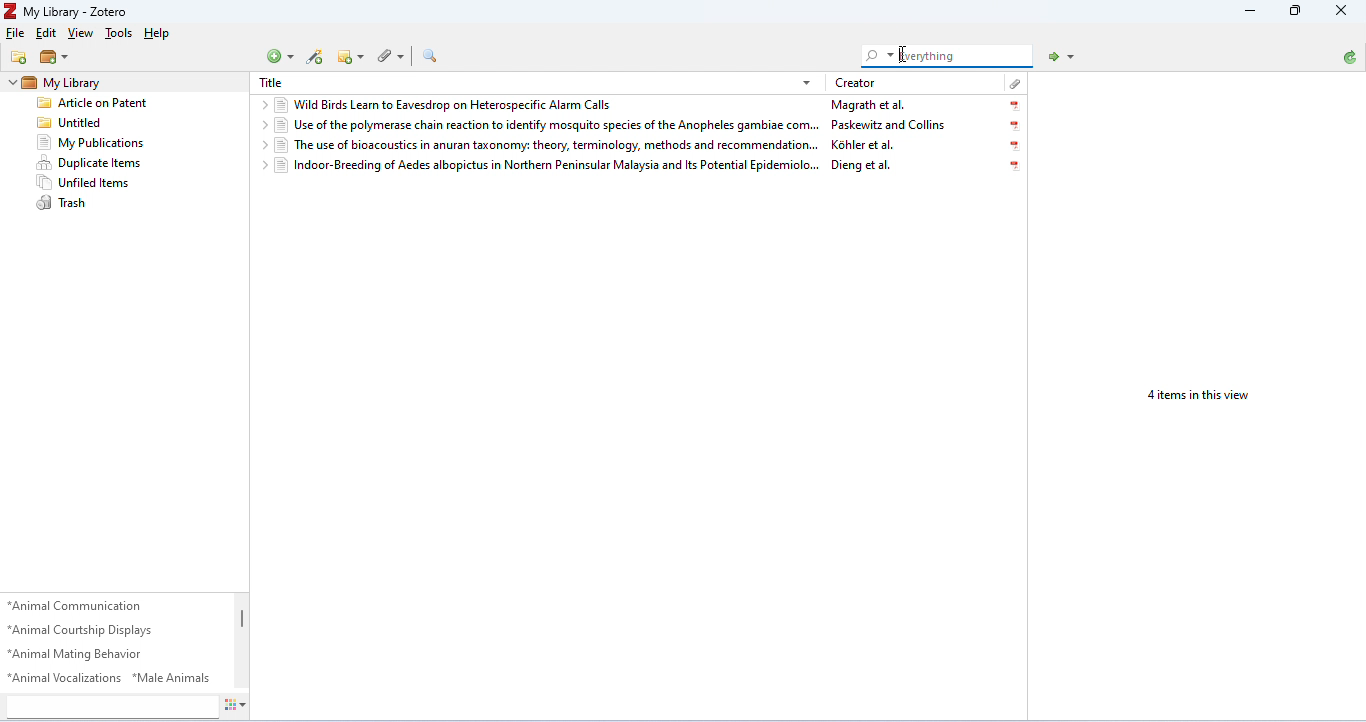 Image resolution: width=1366 pixels, height=722 pixels. I want to click on Edit, so click(46, 34).